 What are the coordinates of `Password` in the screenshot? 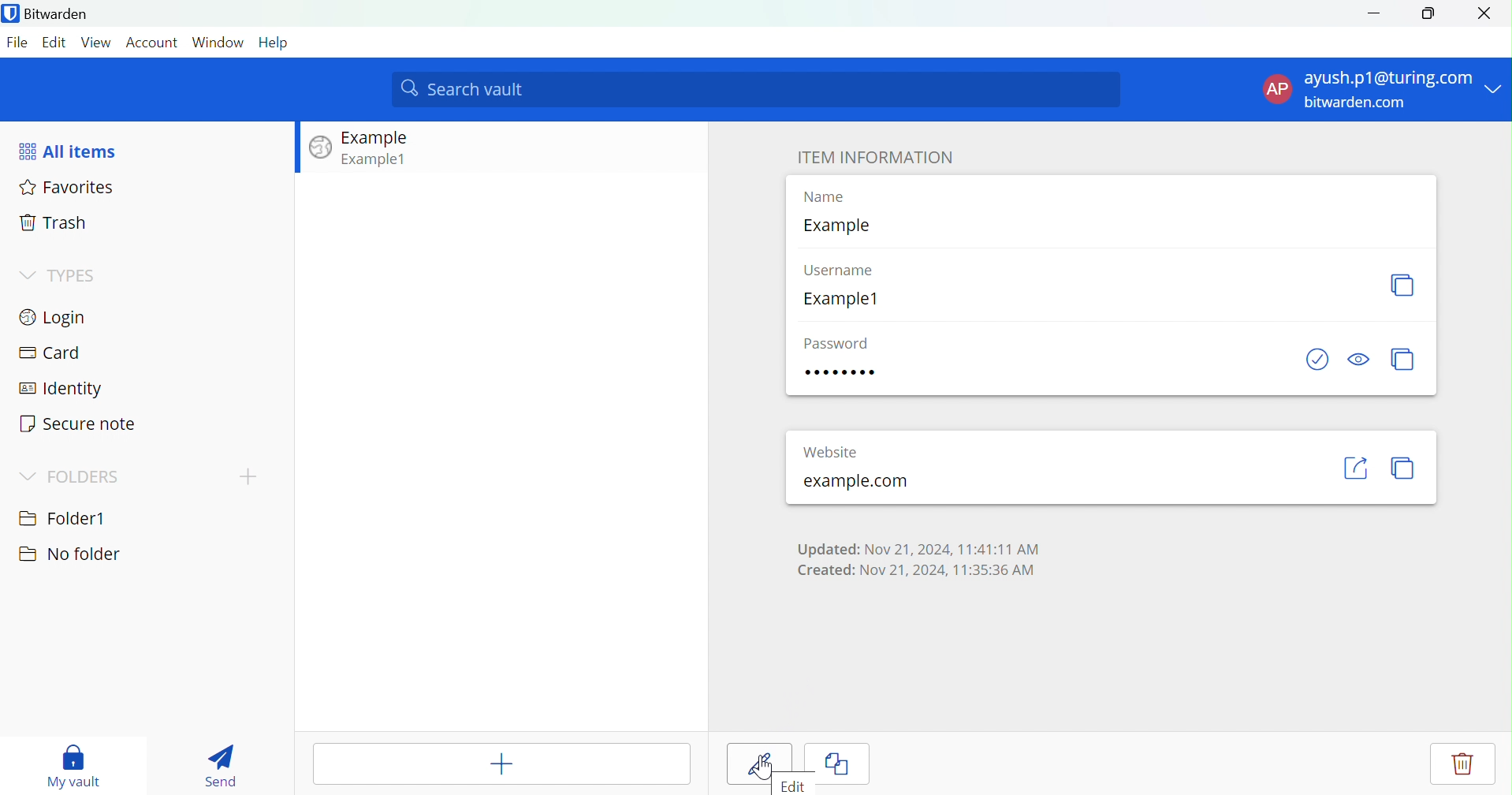 It's located at (845, 372).